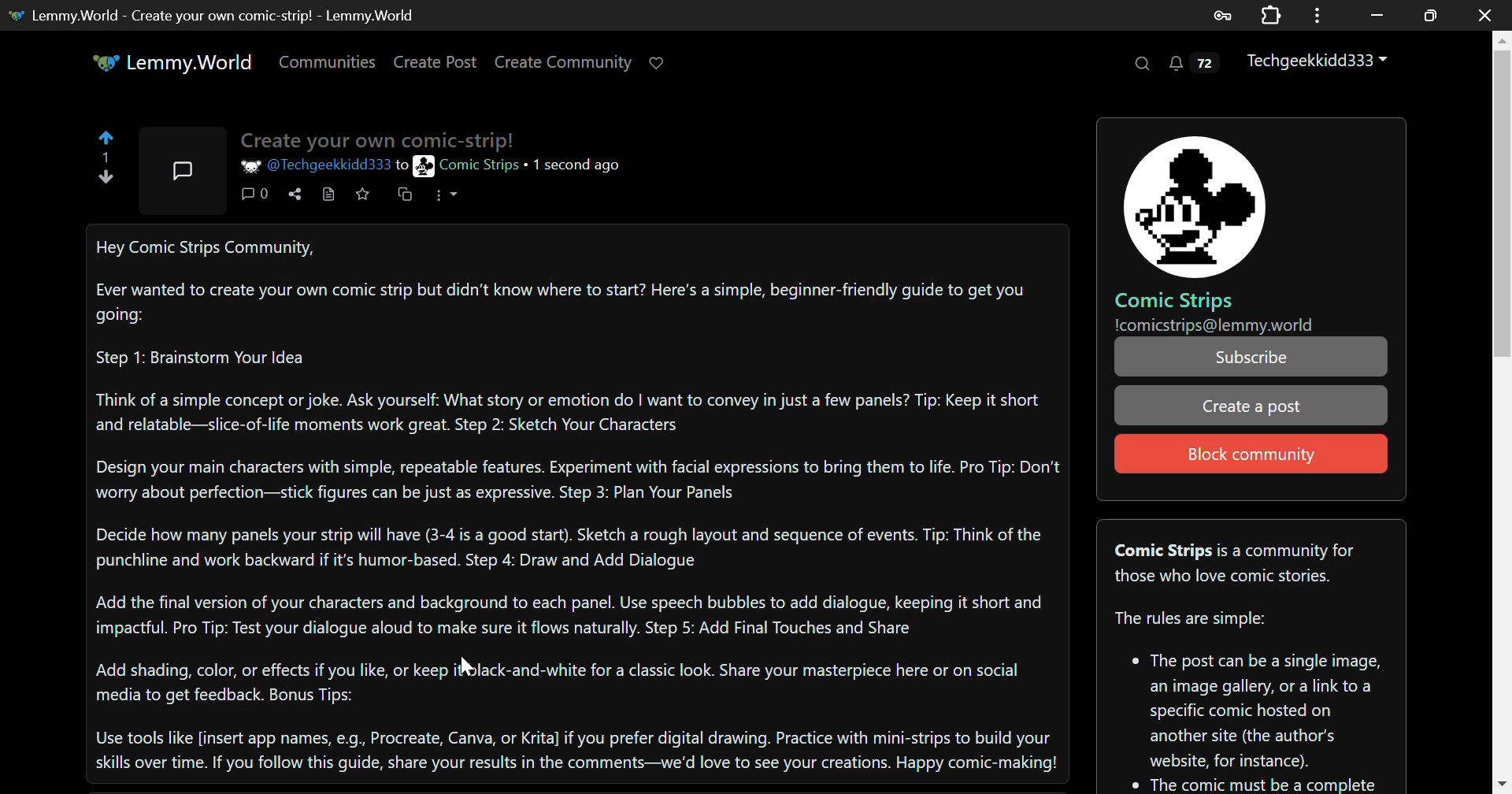 The image size is (1512, 794). What do you see at coordinates (1488, 15) in the screenshot?
I see `Close Window` at bounding box center [1488, 15].